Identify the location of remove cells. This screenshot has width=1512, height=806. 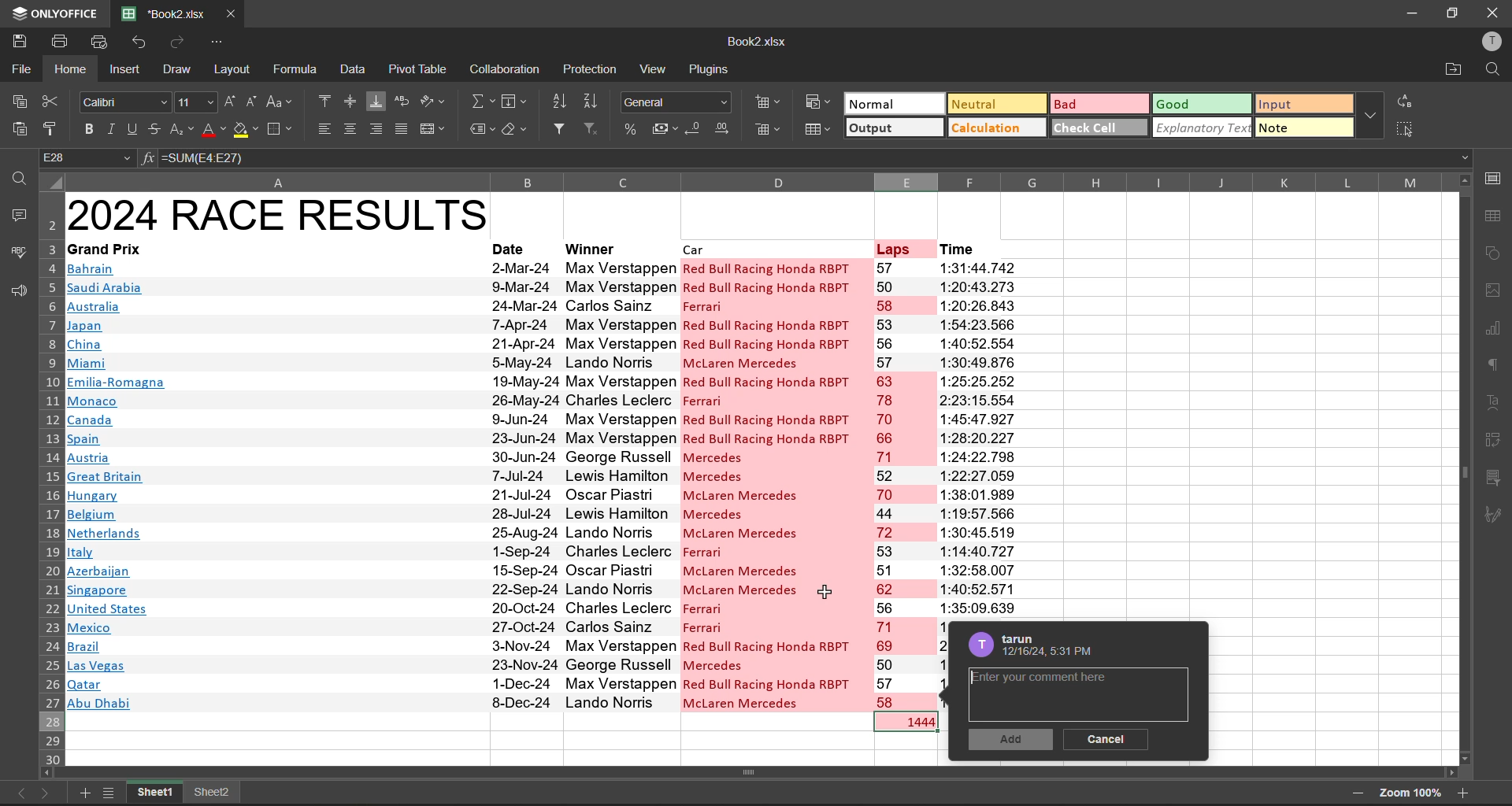
(769, 131).